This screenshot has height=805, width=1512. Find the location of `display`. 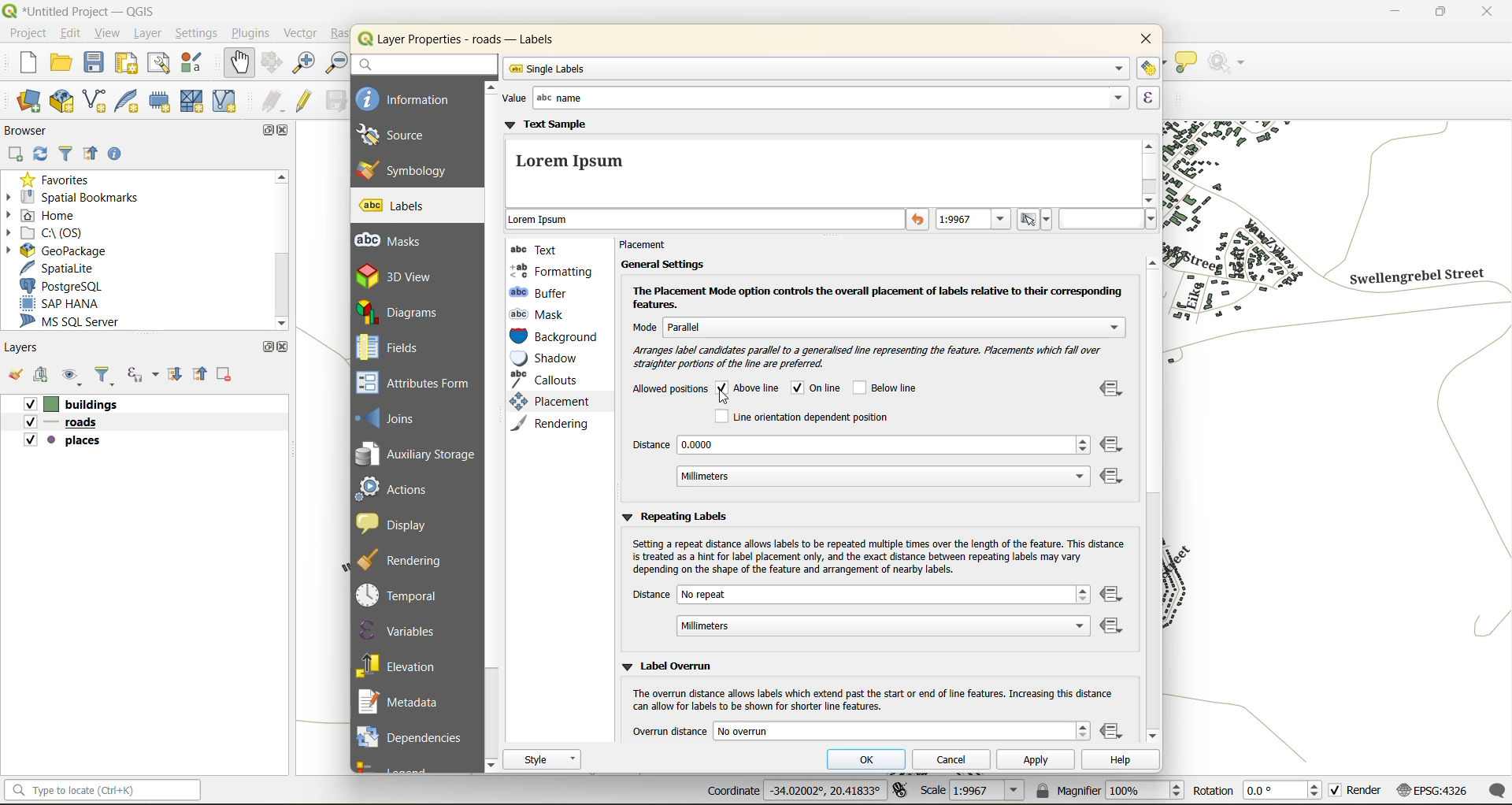

display is located at coordinates (399, 523).